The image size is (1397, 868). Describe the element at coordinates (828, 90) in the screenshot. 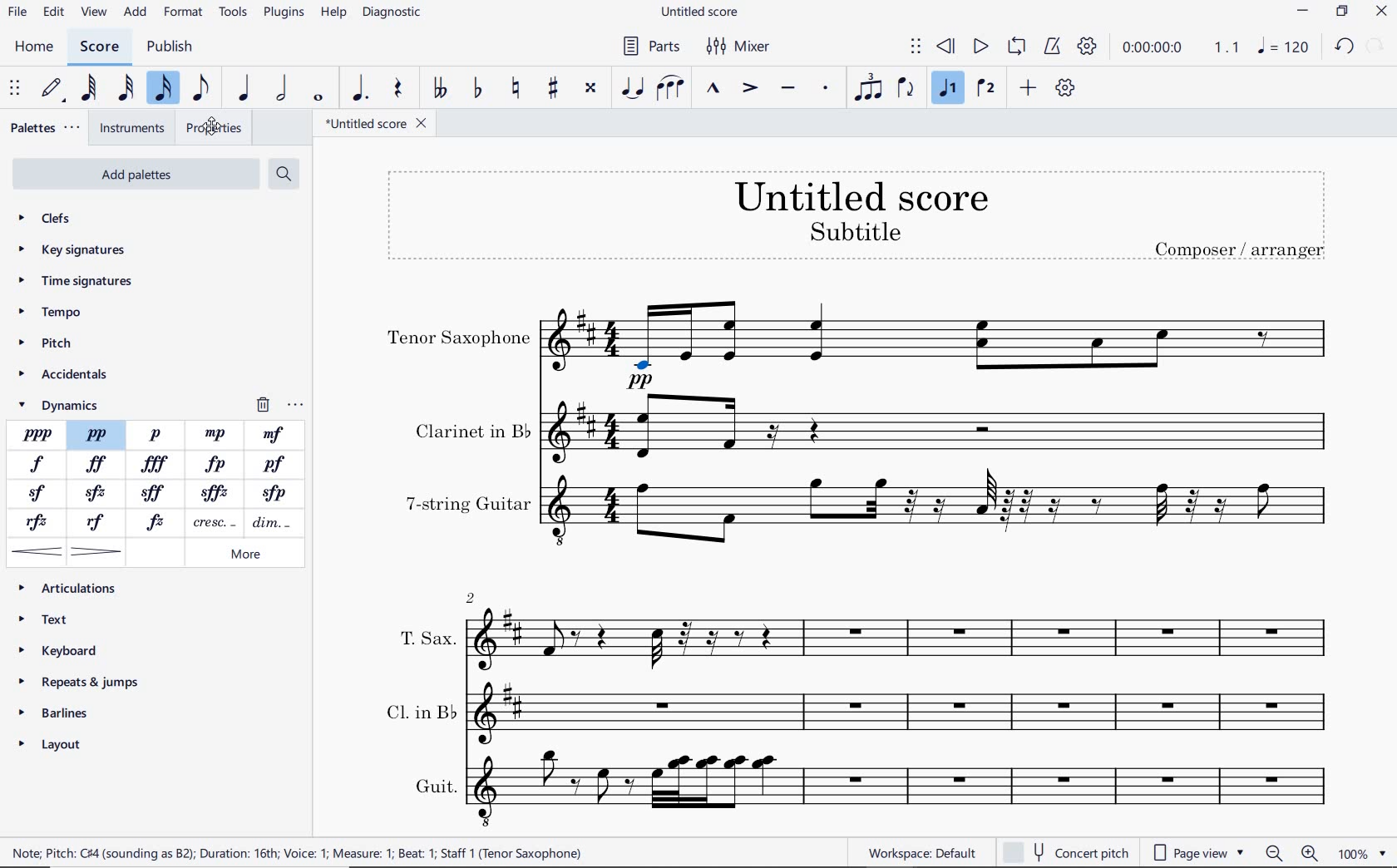

I see `STACCATO` at that location.